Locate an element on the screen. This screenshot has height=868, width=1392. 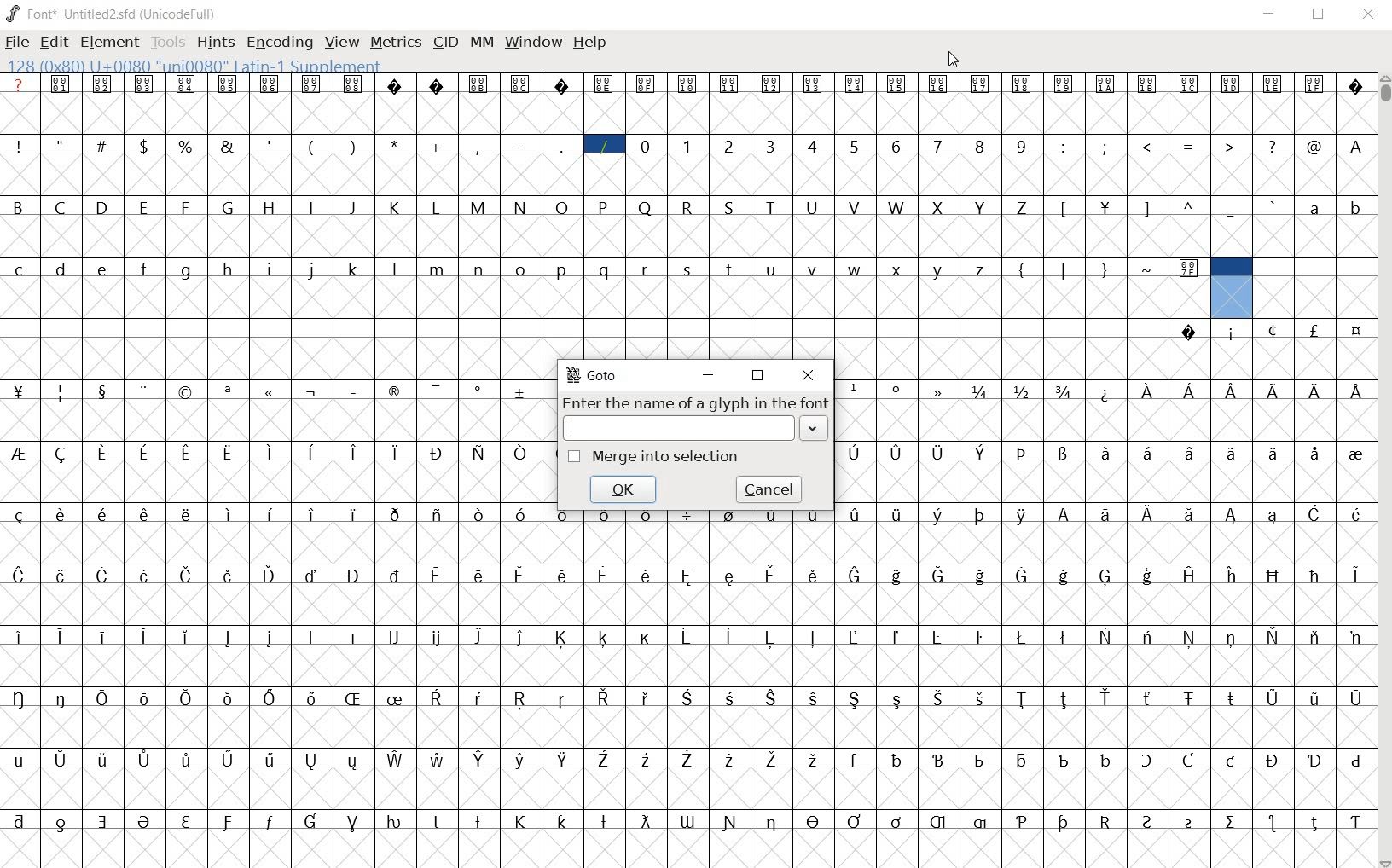
Symbol is located at coordinates (479, 638).